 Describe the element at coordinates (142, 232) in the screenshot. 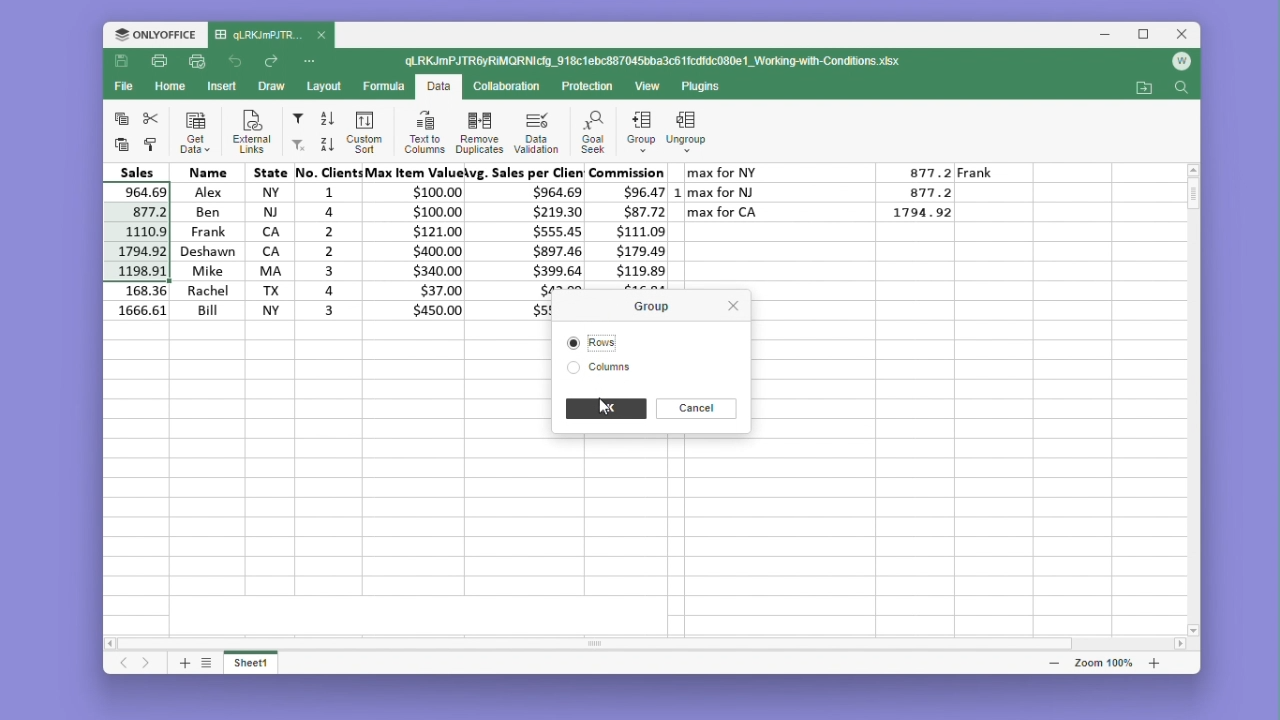

I see `selected cells` at that location.